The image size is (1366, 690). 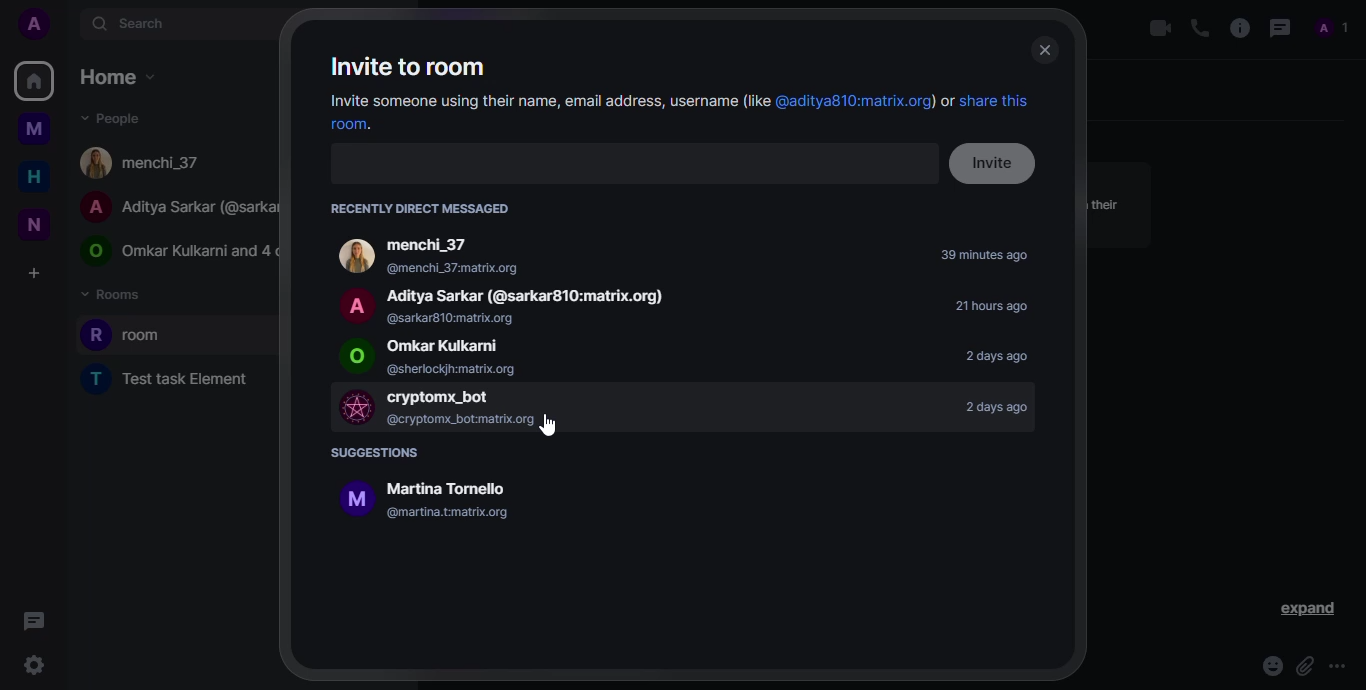 What do you see at coordinates (430, 209) in the screenshot?
I see `recently direct messaged` at bounding box center [430, 209].